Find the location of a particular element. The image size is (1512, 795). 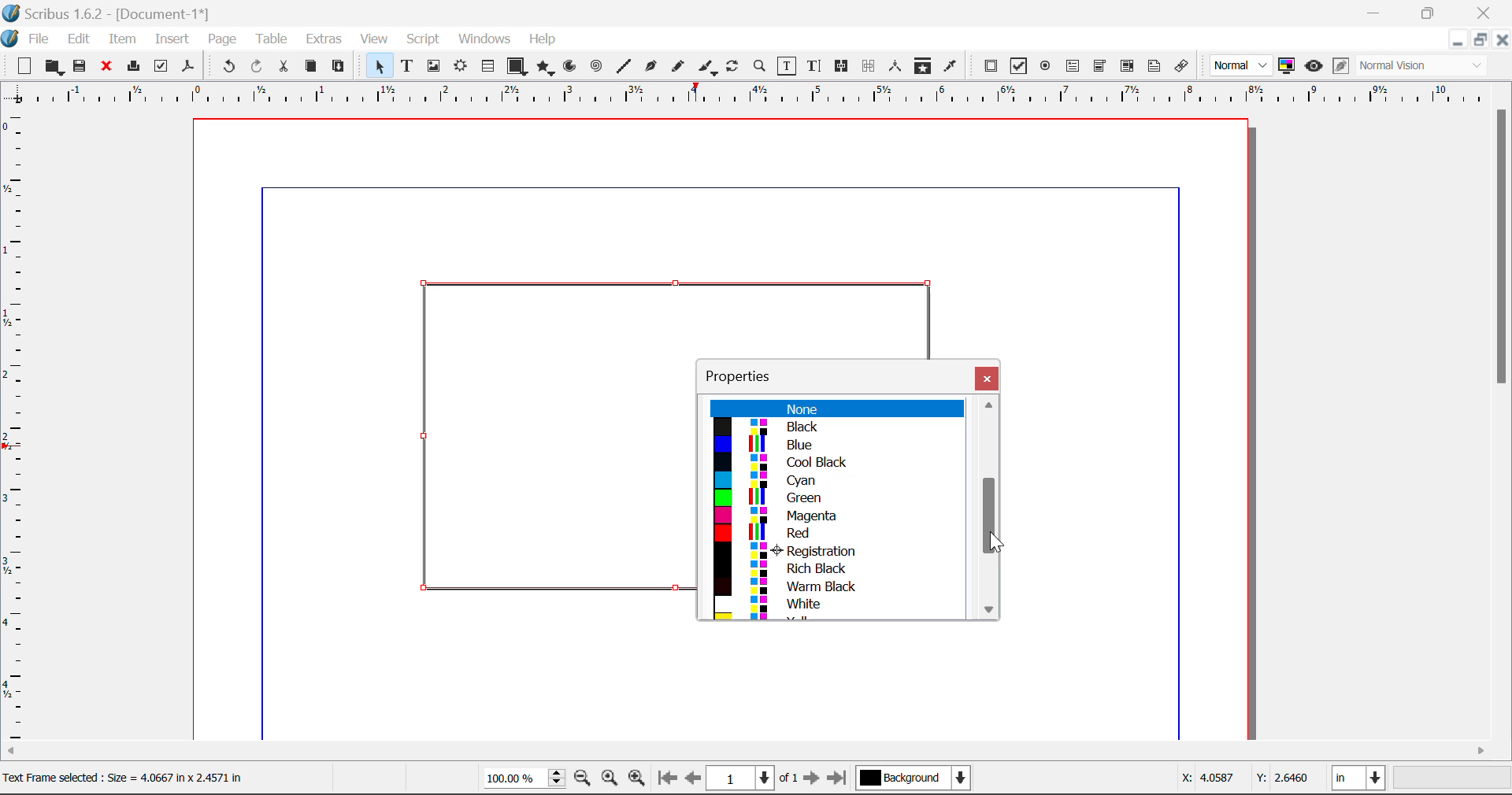

Restore Down is located at coordinates (1457, 39).